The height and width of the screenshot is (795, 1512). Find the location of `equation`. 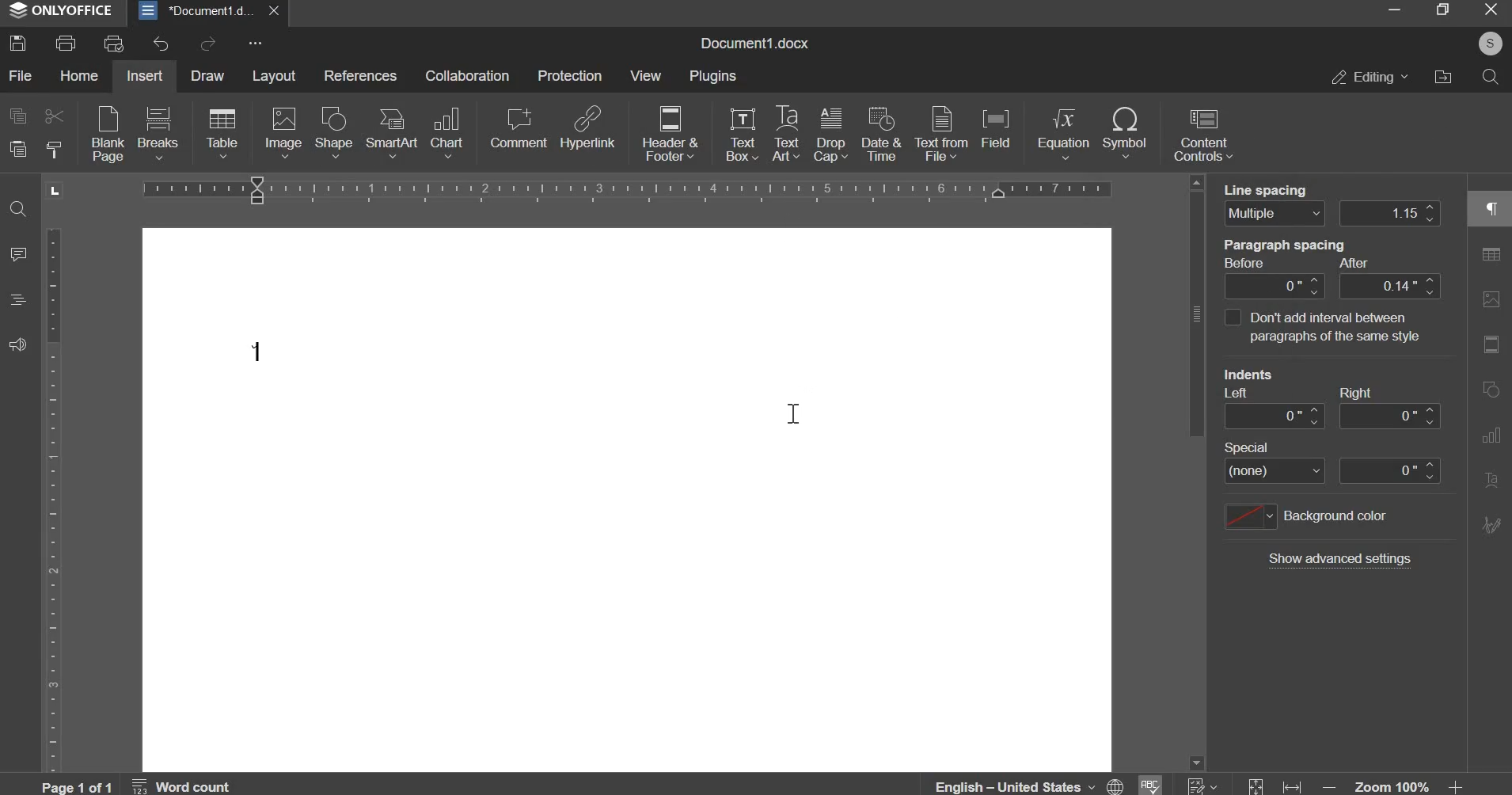

equation is located at coordinates (1062, 133).